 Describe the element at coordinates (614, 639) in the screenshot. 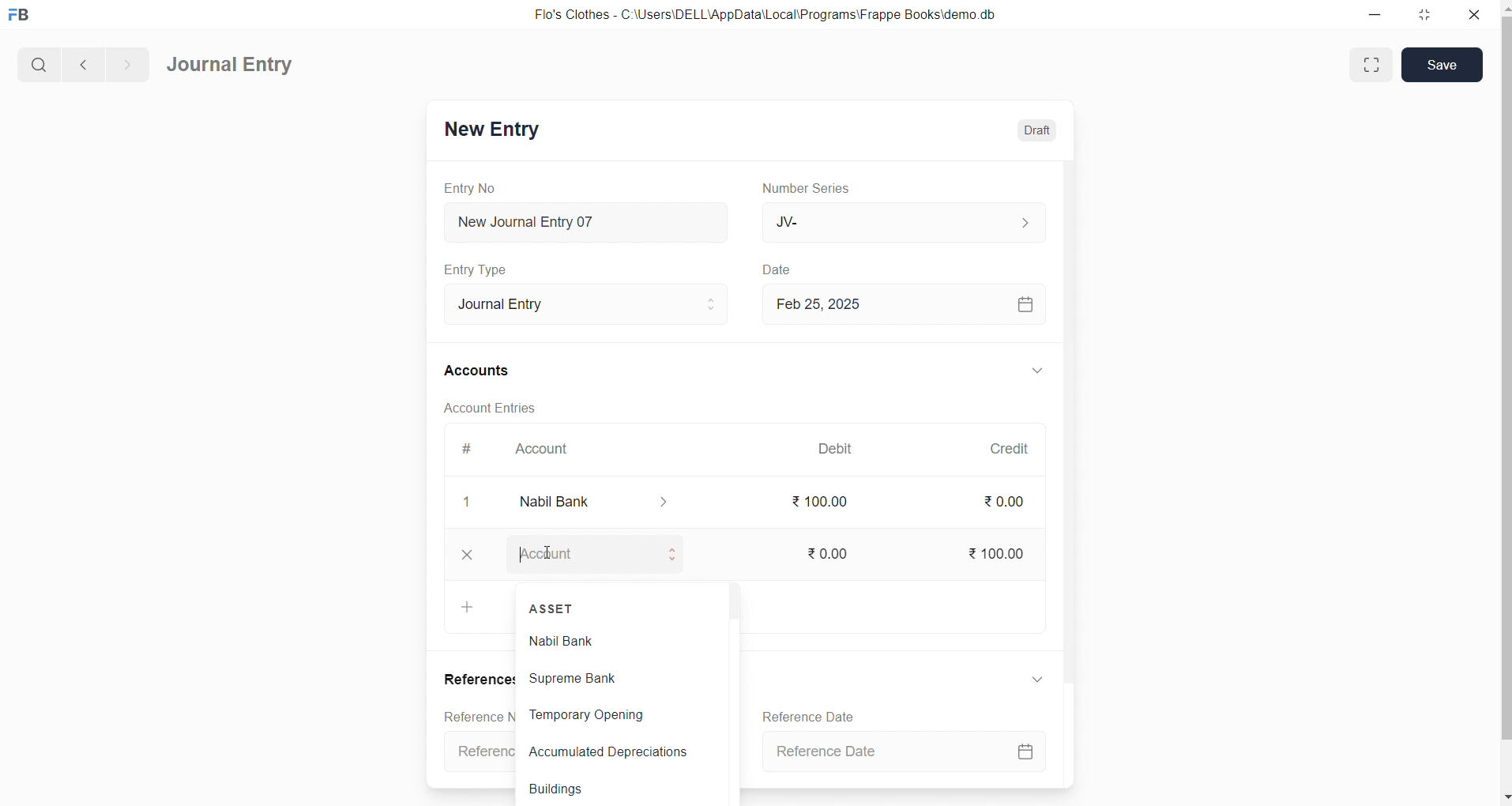

I see `Nabil Bank` at that location.